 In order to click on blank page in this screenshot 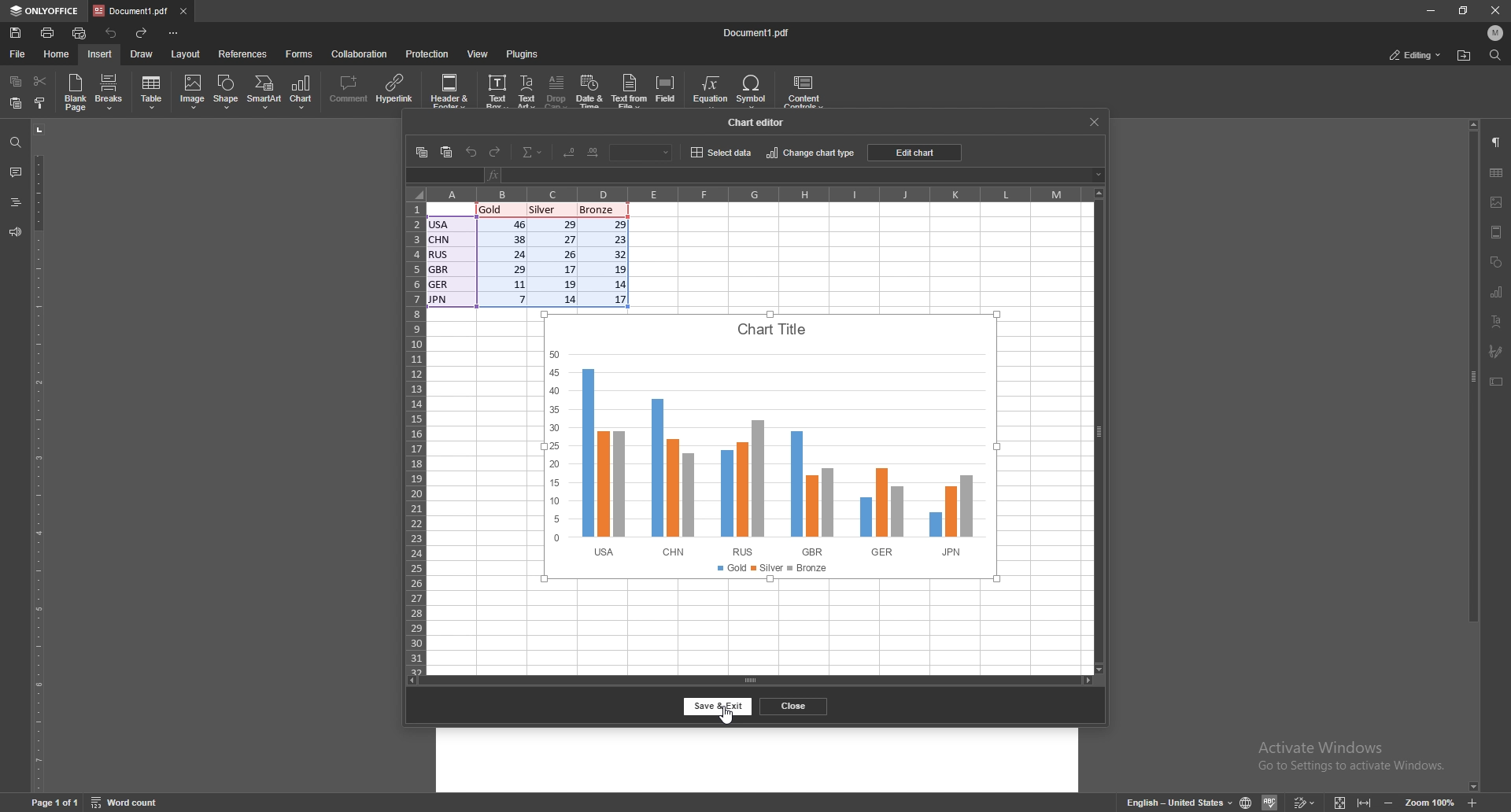, I will do `click(77, 92)`.